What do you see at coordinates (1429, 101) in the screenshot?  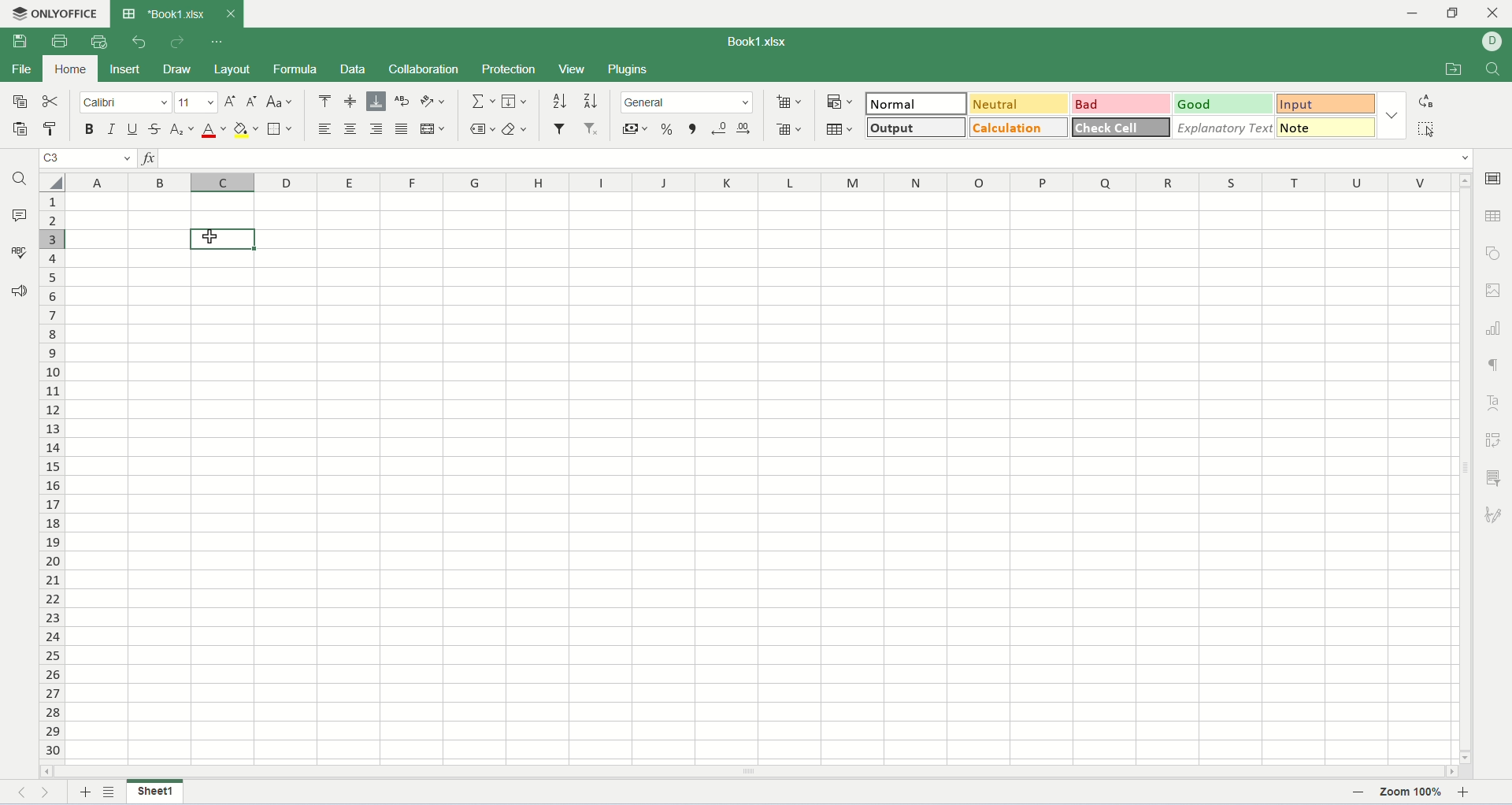 I see `replace` at bounding box center [1429, 101].